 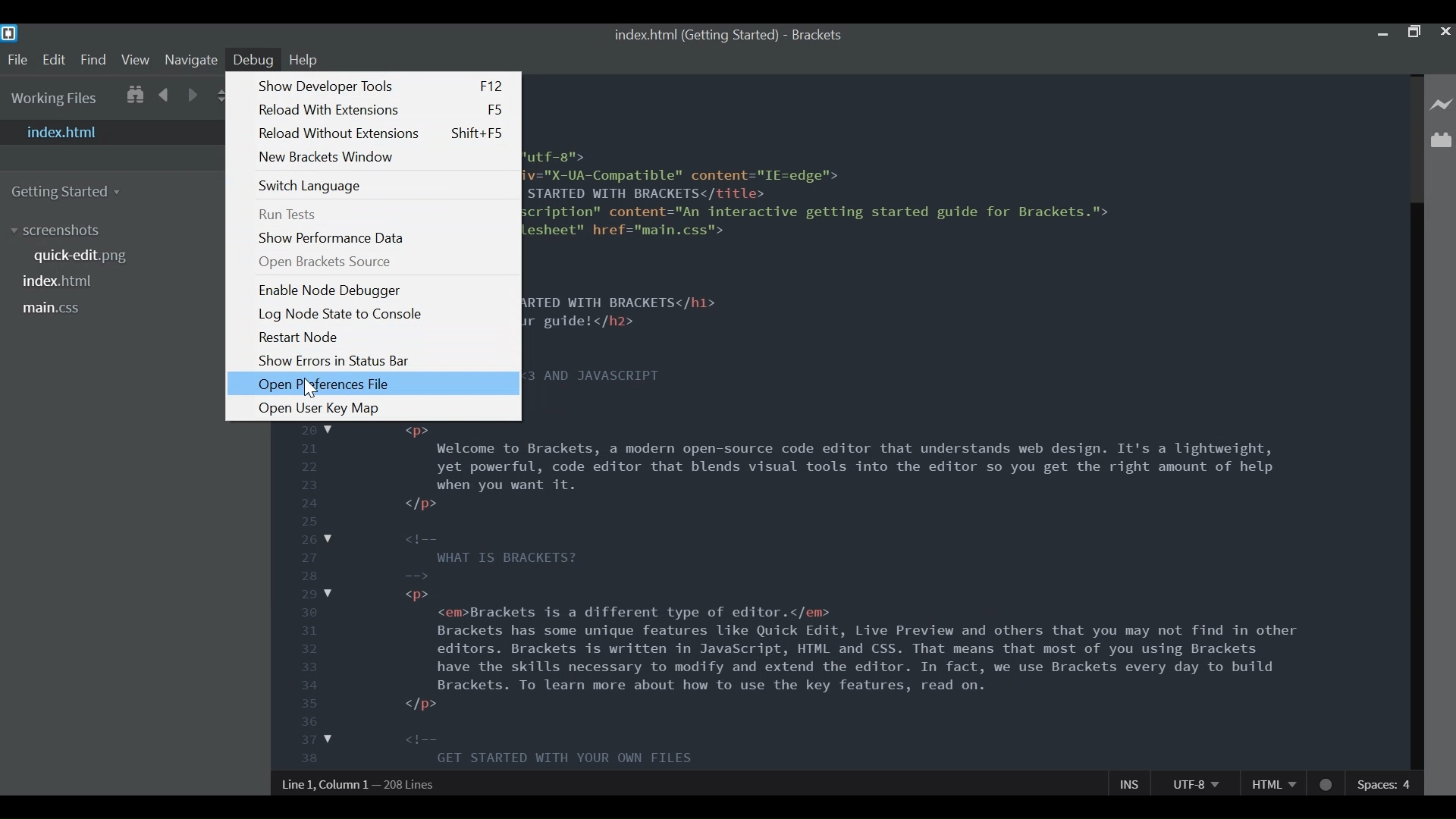 I want to click on Navigate backward, so click(x=163, y=95).